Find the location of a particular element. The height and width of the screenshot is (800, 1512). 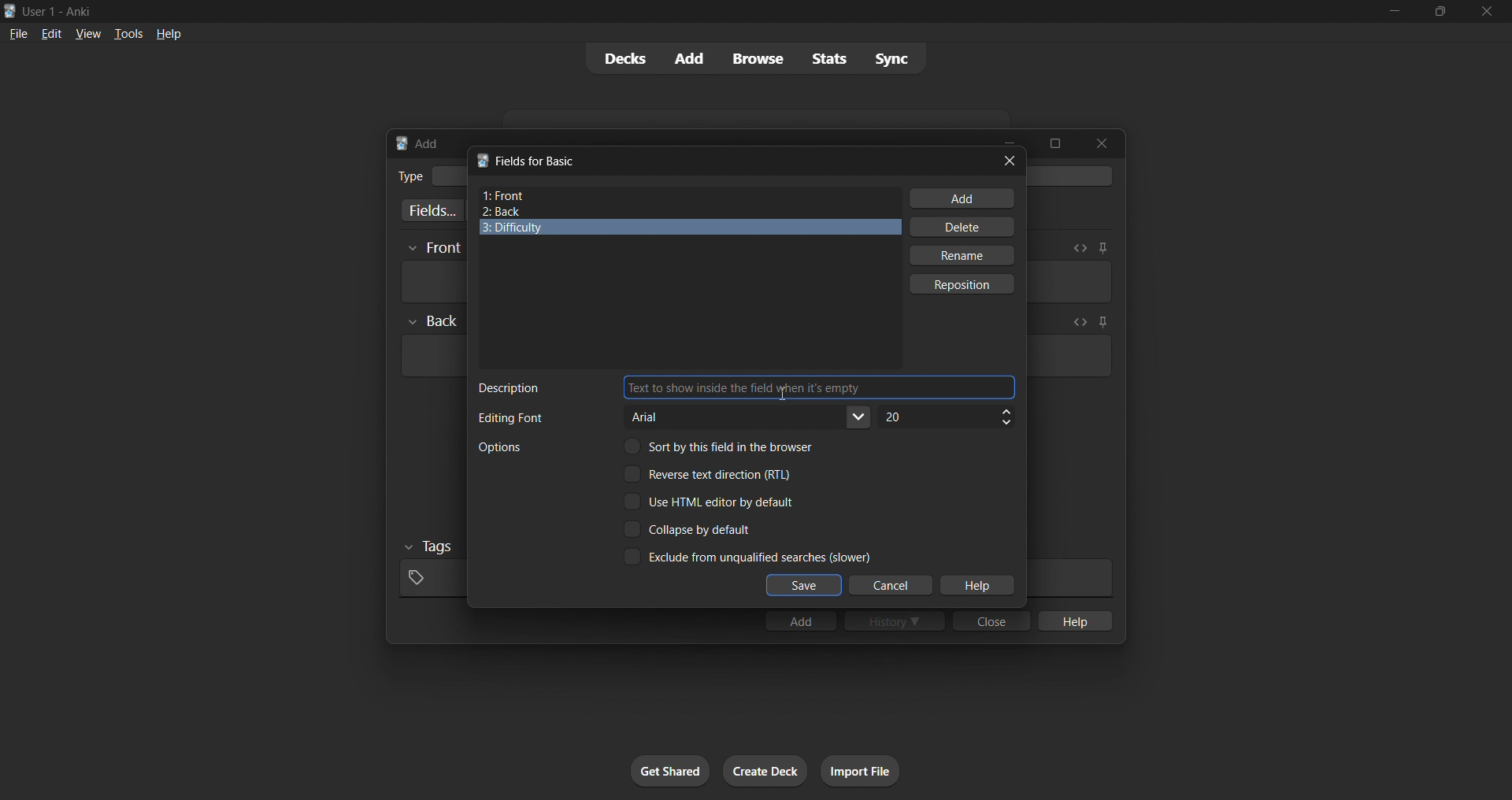

minimize is located at coordinates (1394, 12).